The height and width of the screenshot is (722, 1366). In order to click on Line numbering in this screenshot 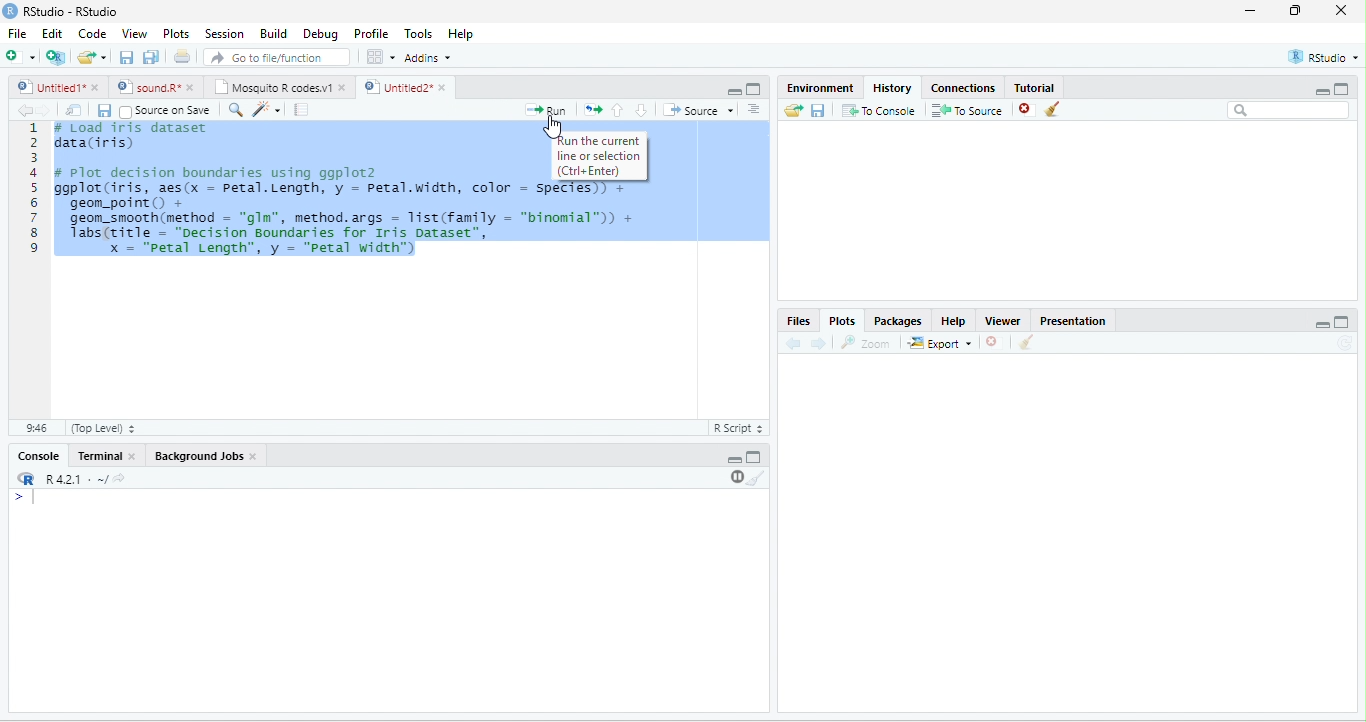, I will do `click(37, 270)`.